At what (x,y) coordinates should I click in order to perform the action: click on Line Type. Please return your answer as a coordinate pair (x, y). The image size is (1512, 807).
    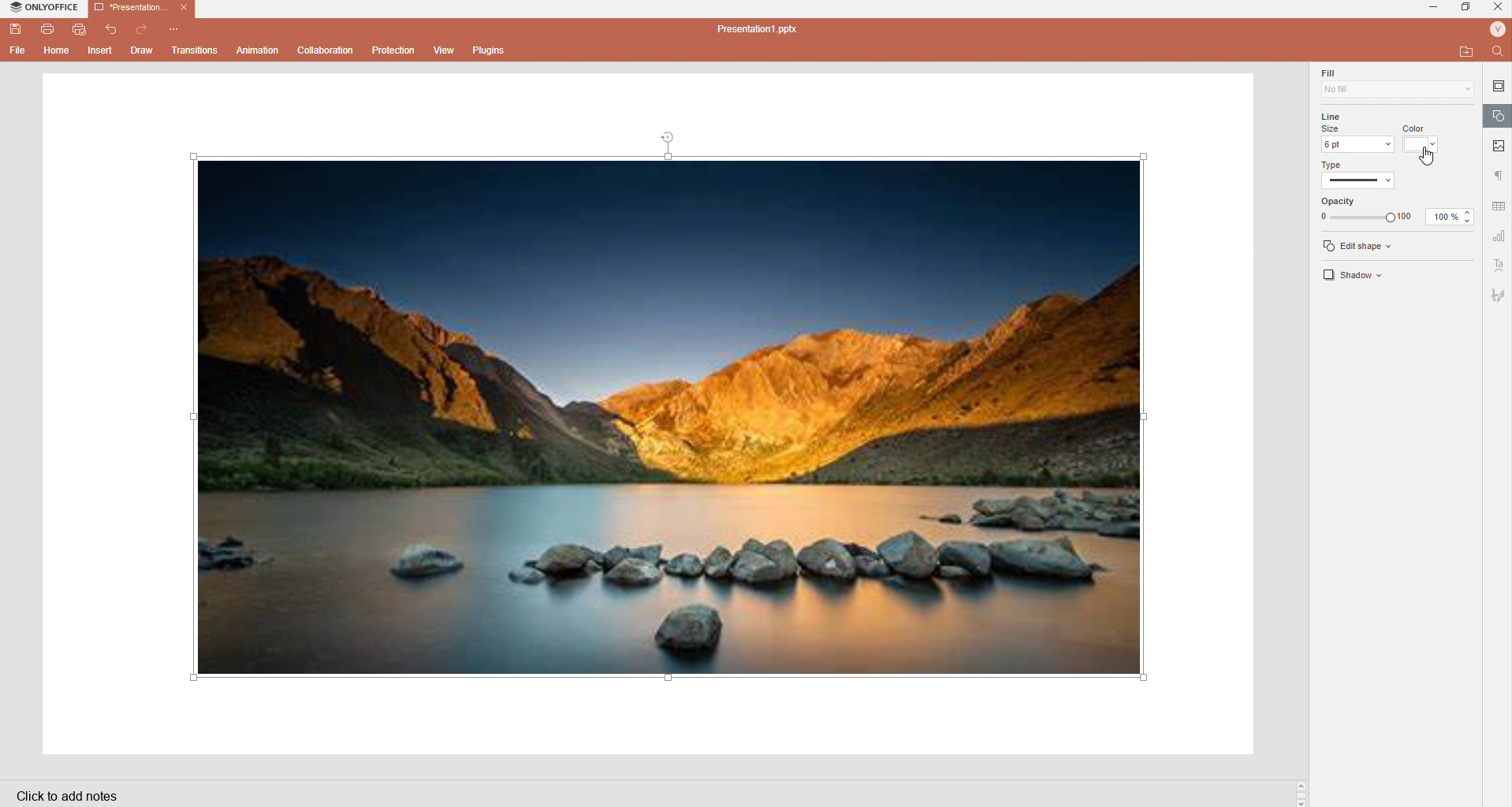
    Looking at the image, I should click on (1363, 174).